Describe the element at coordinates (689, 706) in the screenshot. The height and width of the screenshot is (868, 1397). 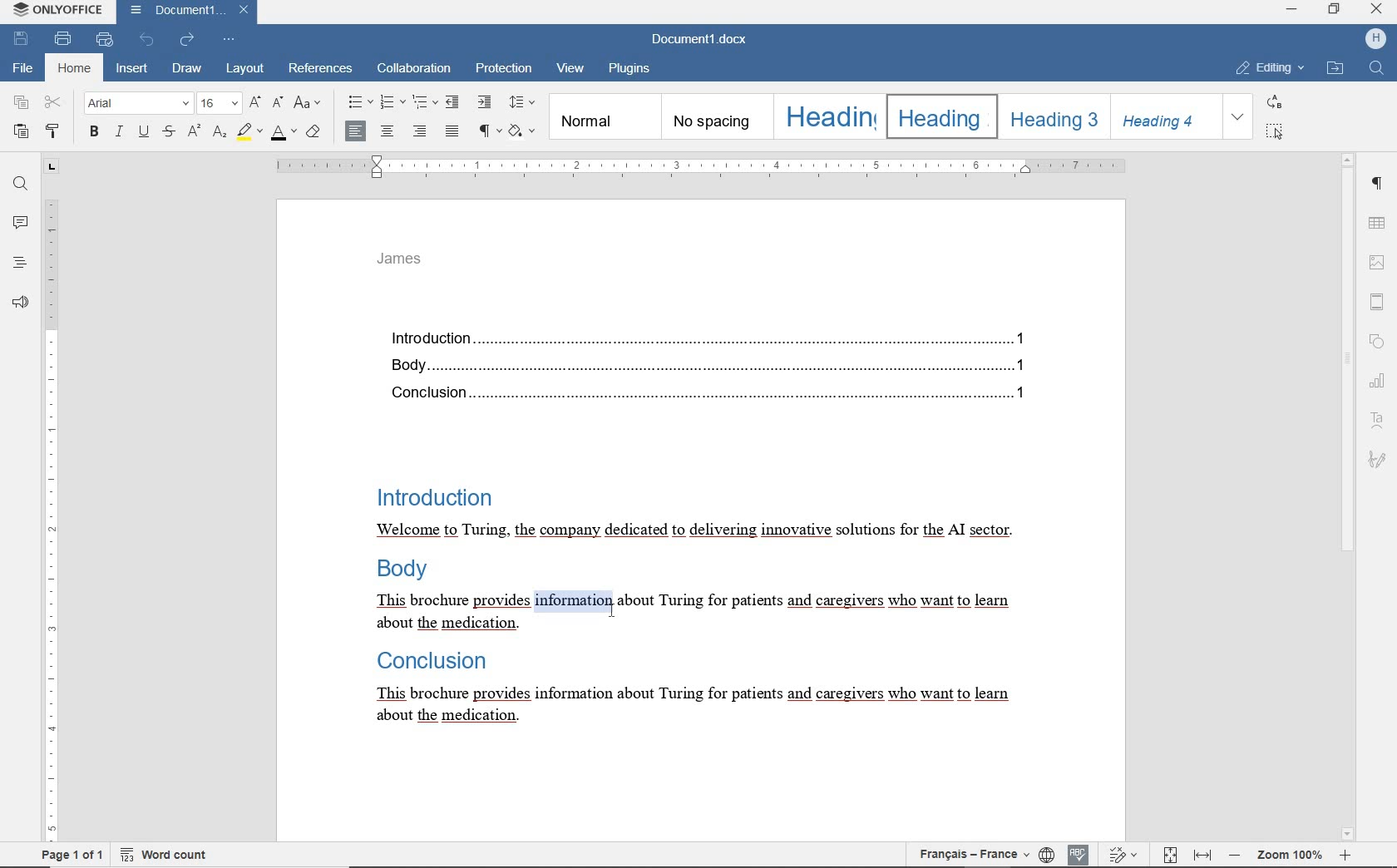
I see `This brochure provides information about Turing for patients and caregivers who want to learn
about the medication.` at that location.